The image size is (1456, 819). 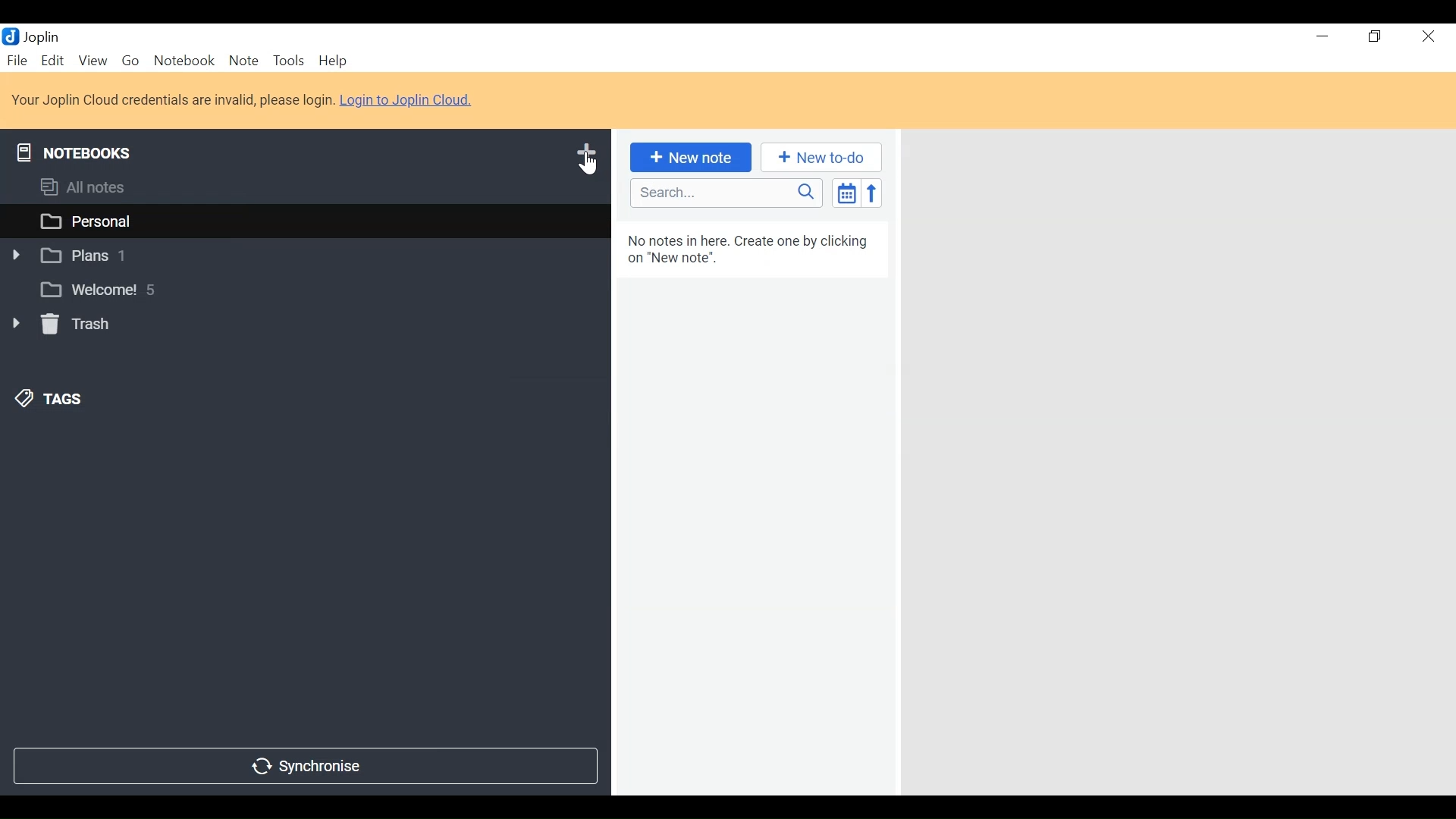 I want to click on Joplin Desktop Icon, so click(x=11, y=37).